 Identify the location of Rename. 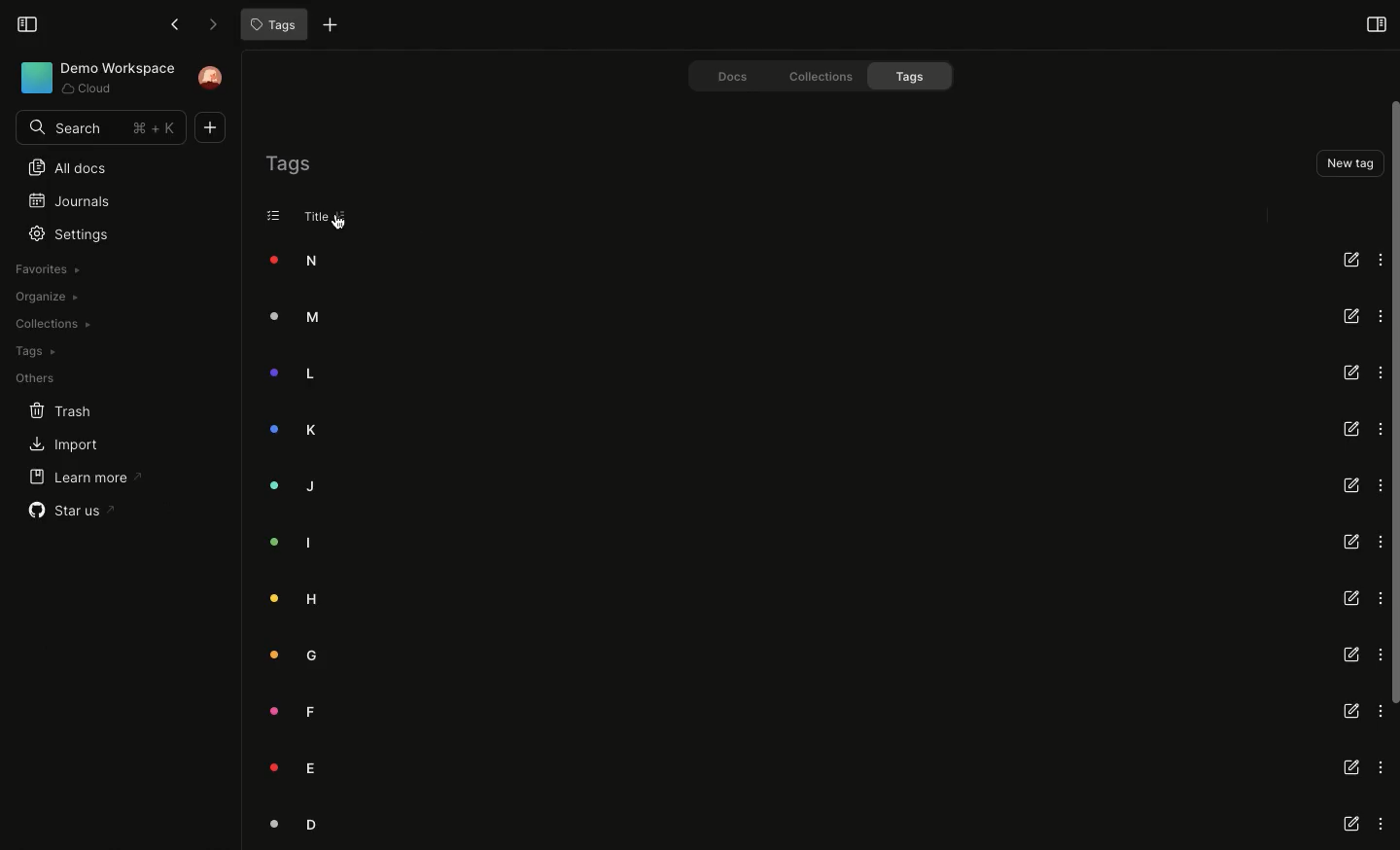
(1351, 597).